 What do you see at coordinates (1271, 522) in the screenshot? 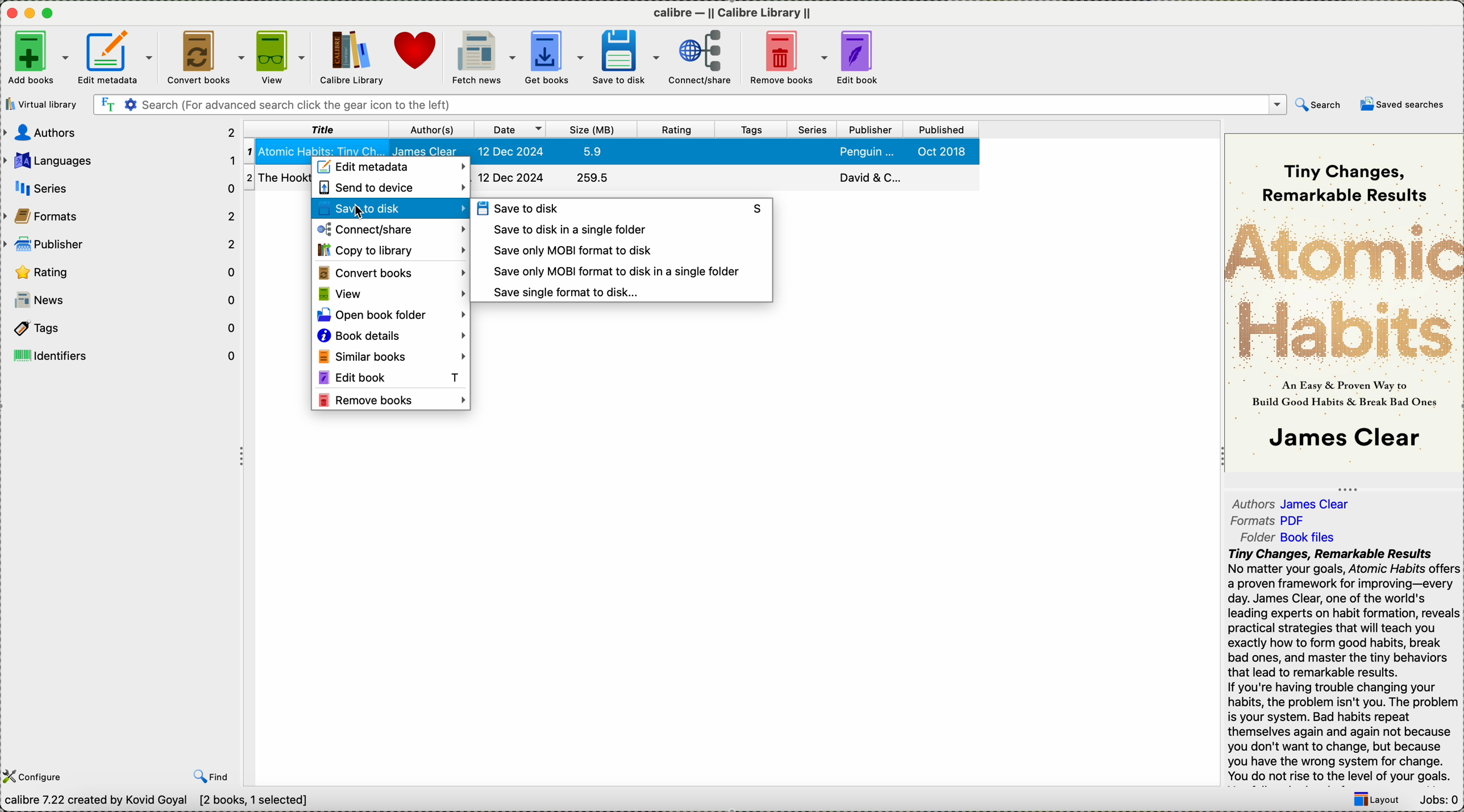
I see `formats` at bounding box center [1271, 522].